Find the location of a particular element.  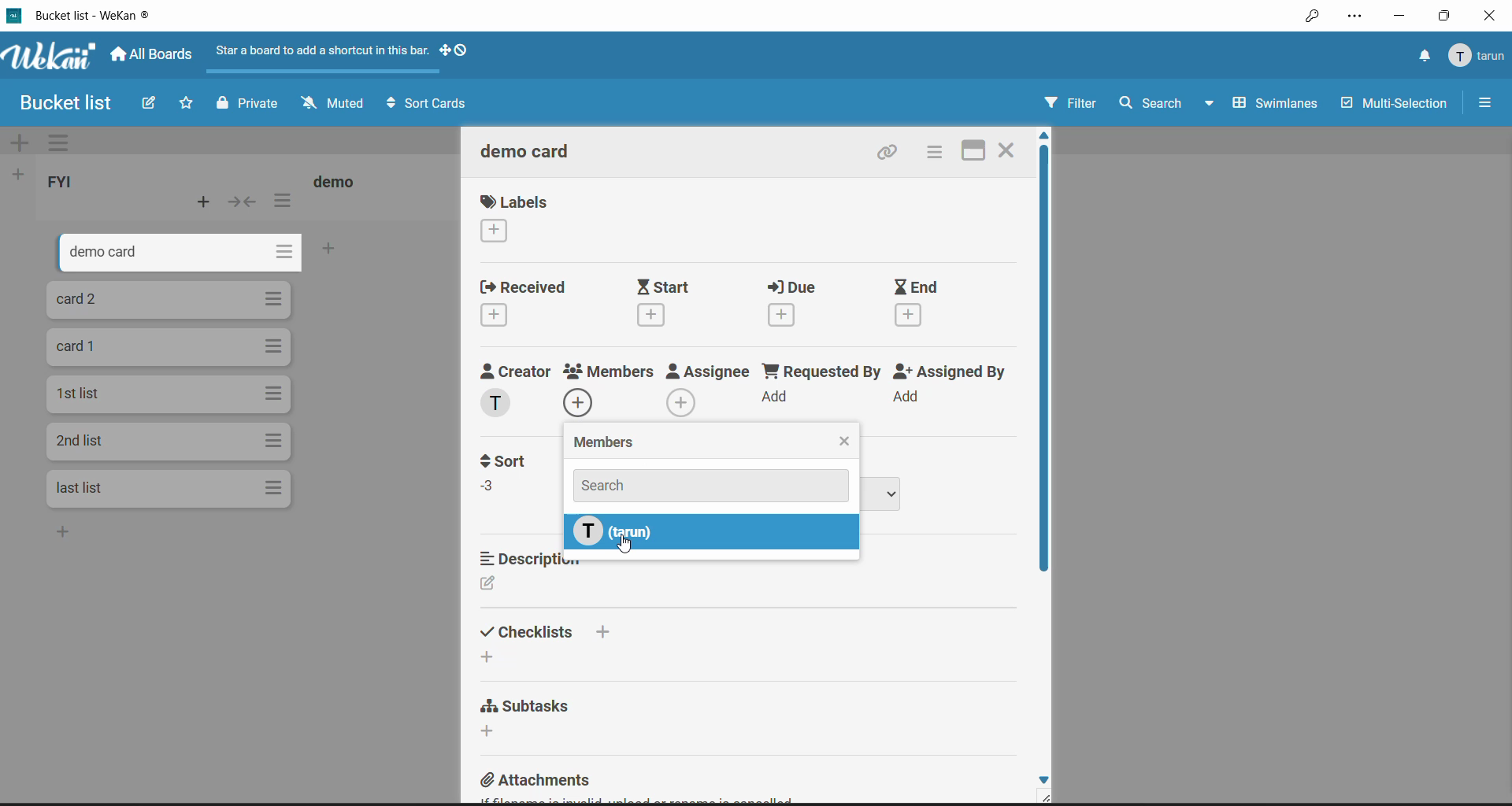

open or close sidebar is located at coordinates (1484, 102).